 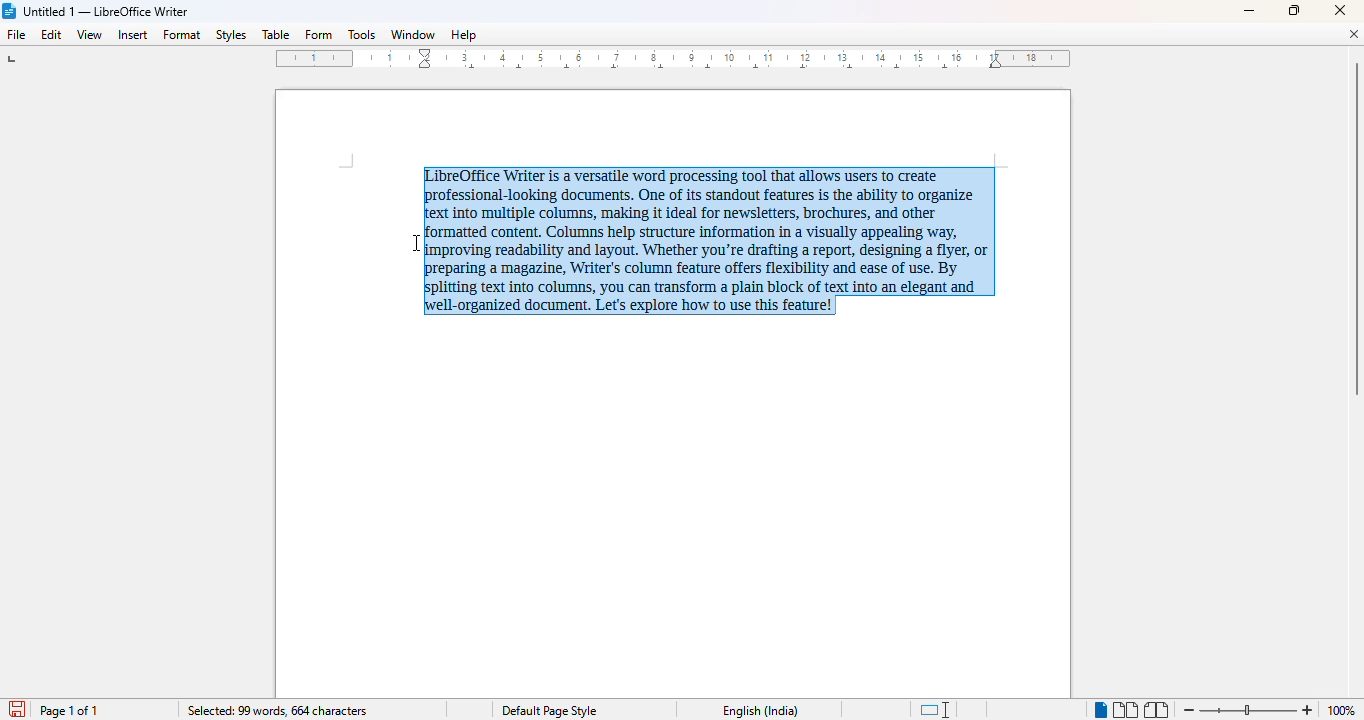 I want to click on page 1 of 1, so click(x=72, y=711).